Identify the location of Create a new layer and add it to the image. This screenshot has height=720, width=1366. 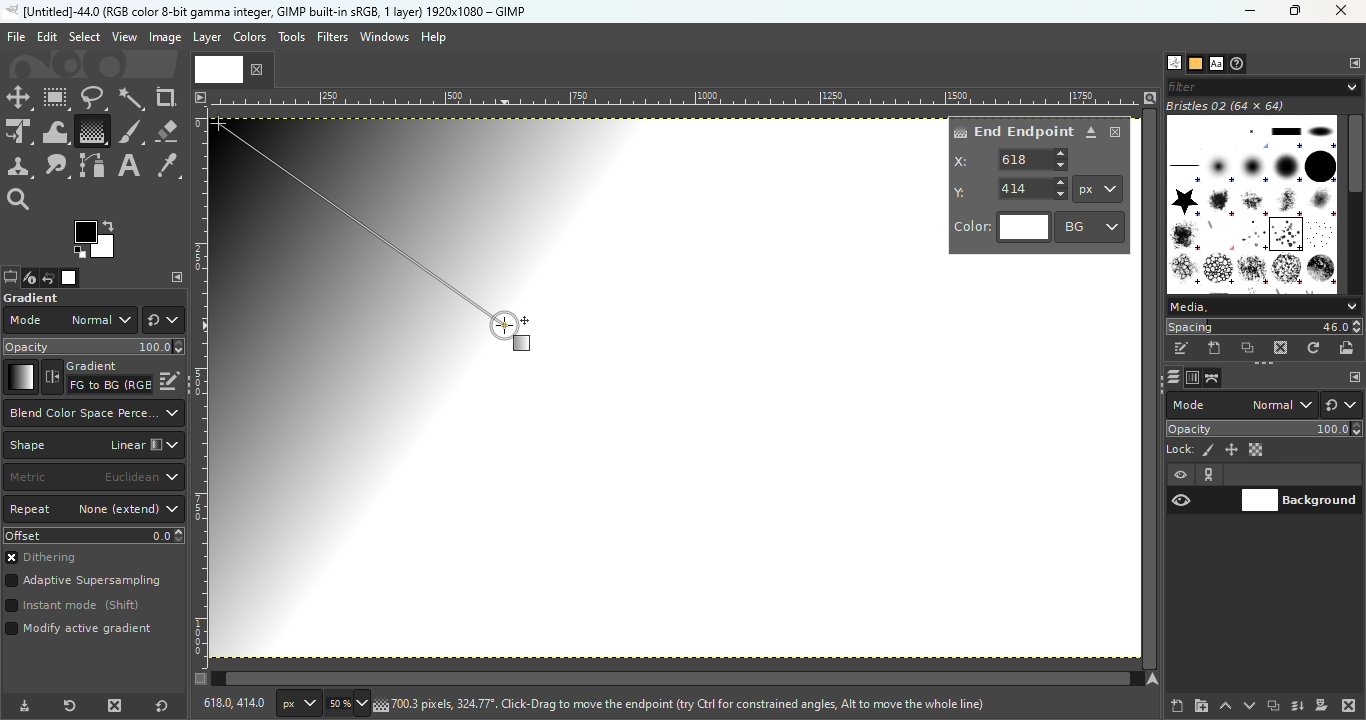
(1178, 706).